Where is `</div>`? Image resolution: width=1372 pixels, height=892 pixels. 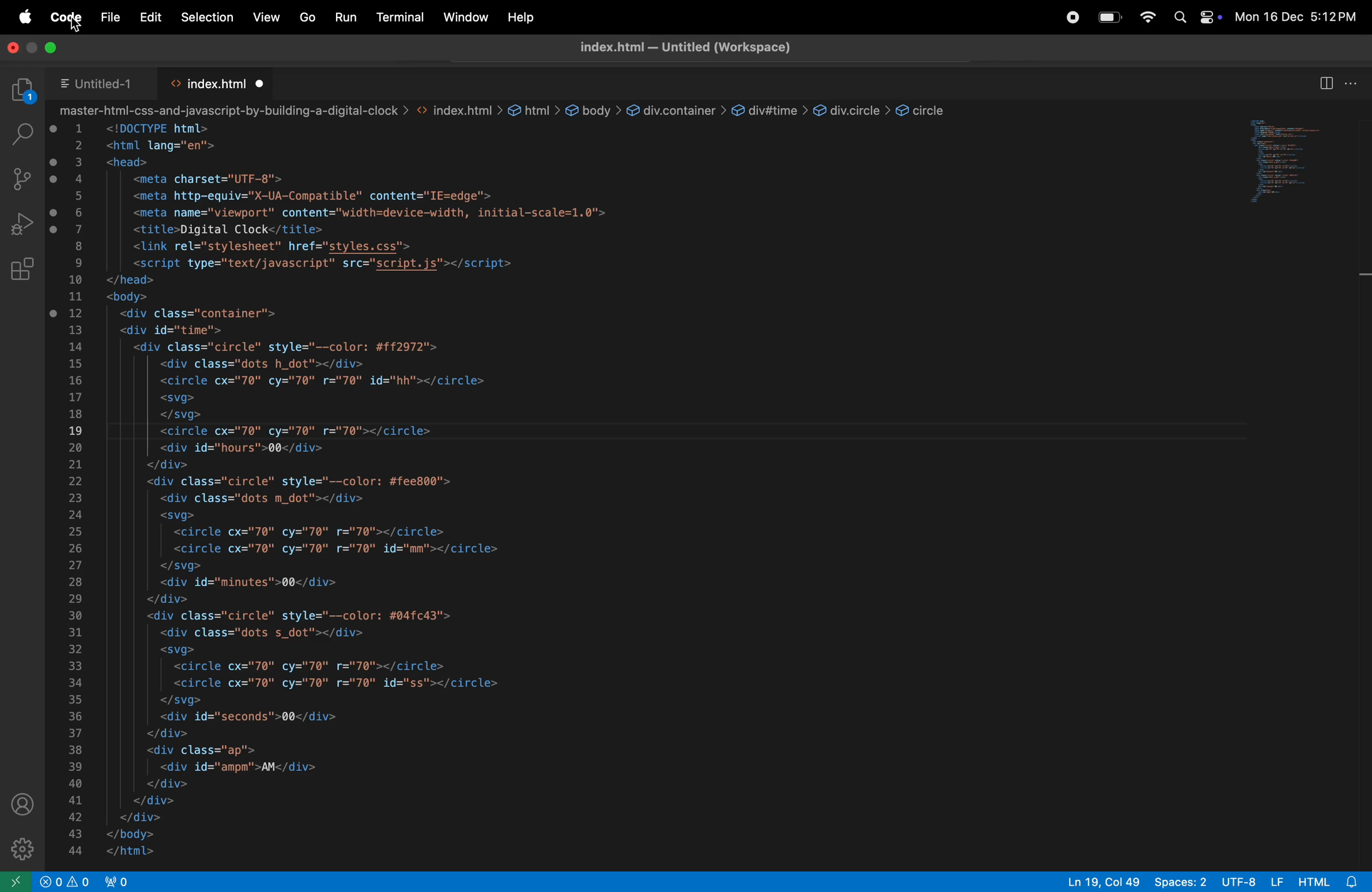 </div> is located at coordinates (149, 800).